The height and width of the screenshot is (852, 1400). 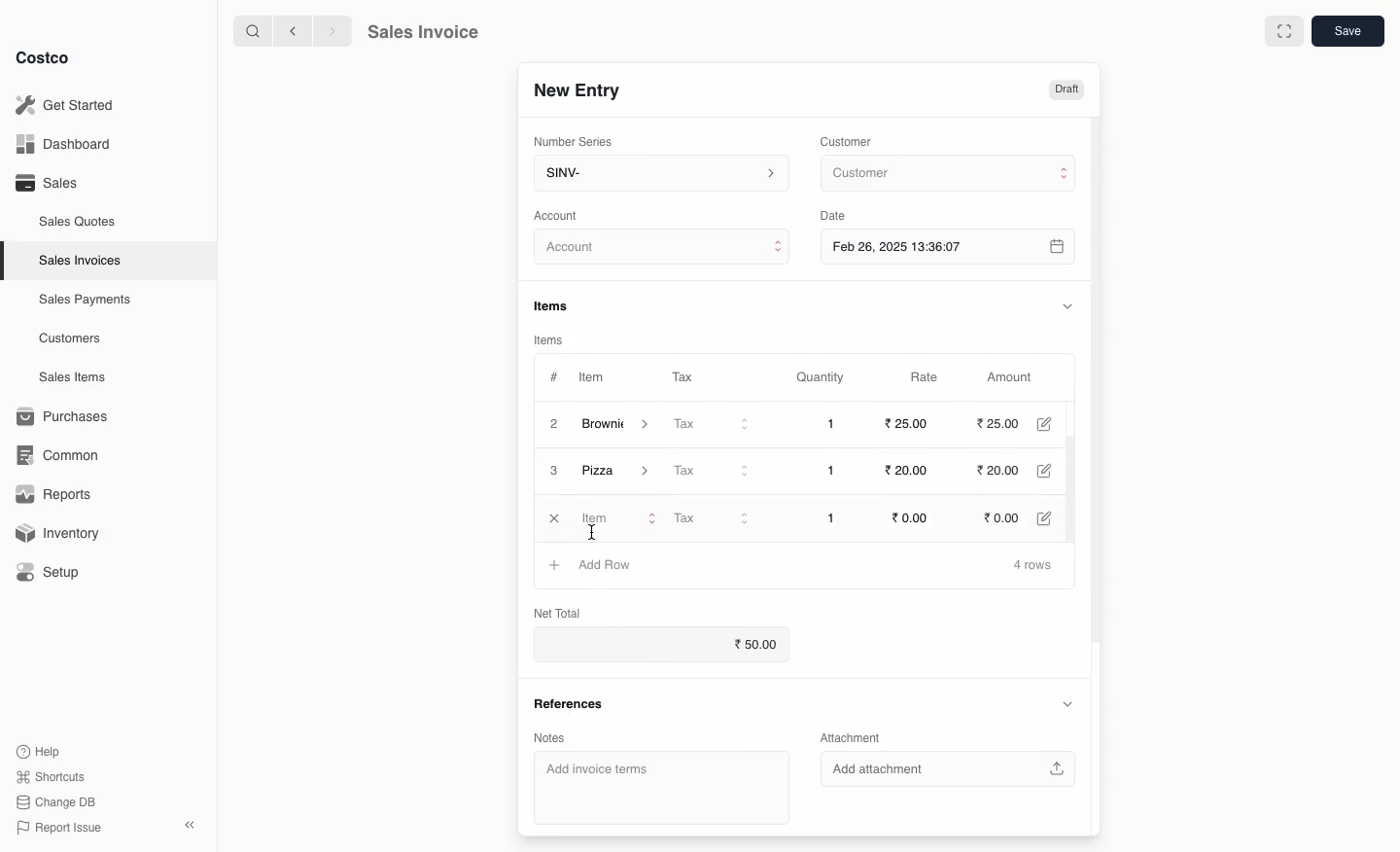 What do you see at coordinates (904, 471) in the screenshot?
I see `20.00` at bounding box center [904, 471].